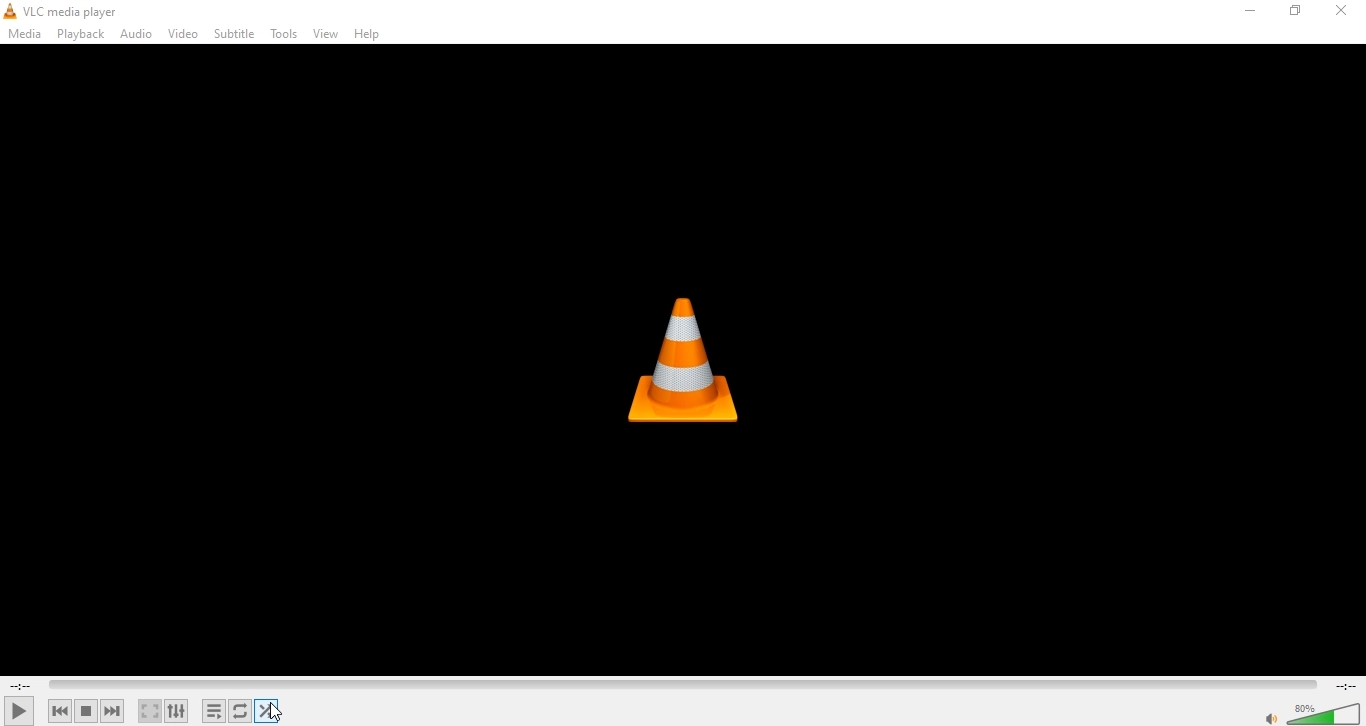  What do you see at coordinates (242, 711) in the screenshot?
I see `click to toggle between loop all, loop one and no one` at bounding box center [242, 711].